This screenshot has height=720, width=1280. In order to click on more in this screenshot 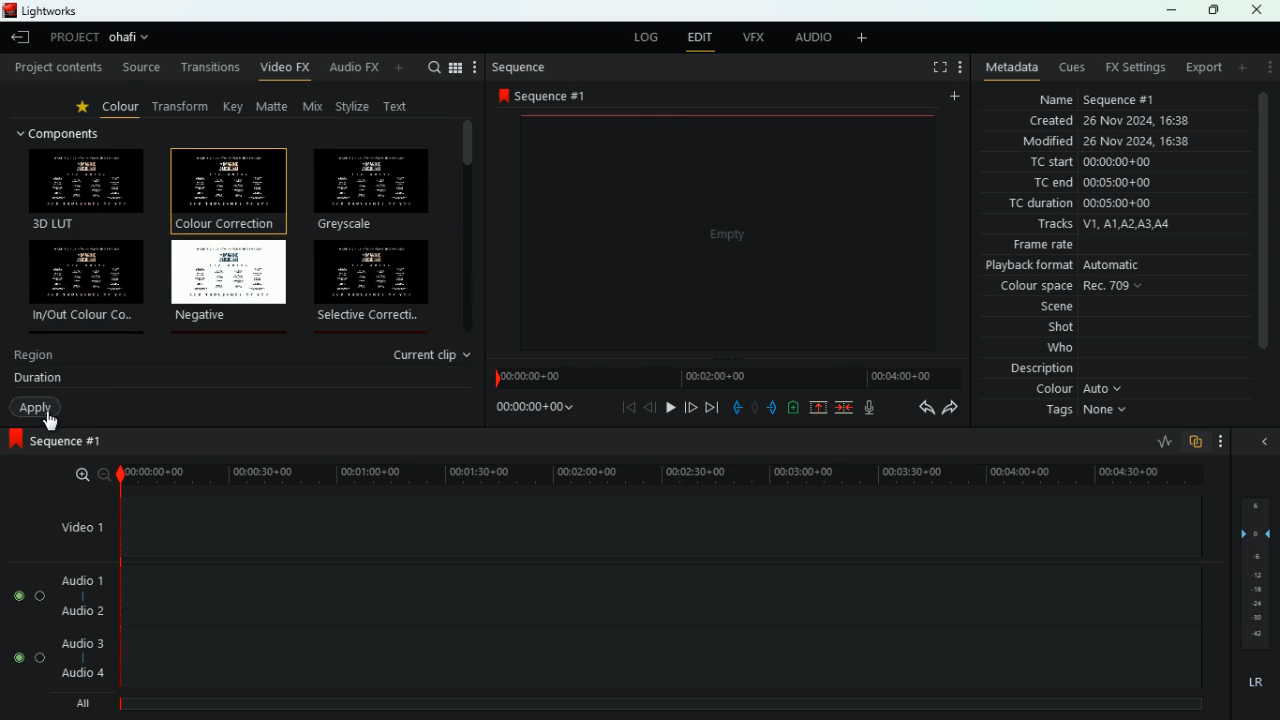, I will do `click(1220, 440)`.